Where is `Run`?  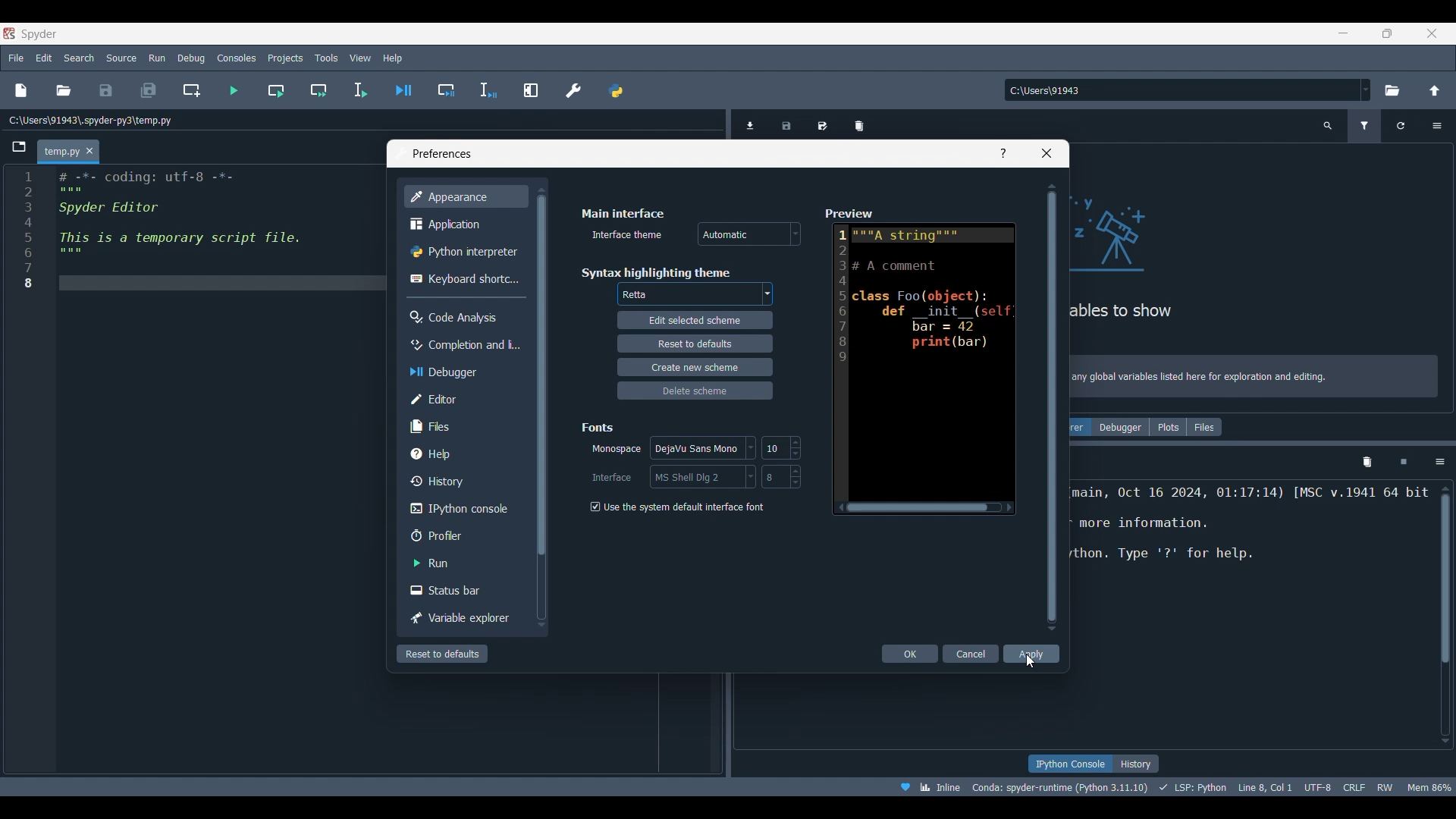 Run is located at coordinates (463, 563).